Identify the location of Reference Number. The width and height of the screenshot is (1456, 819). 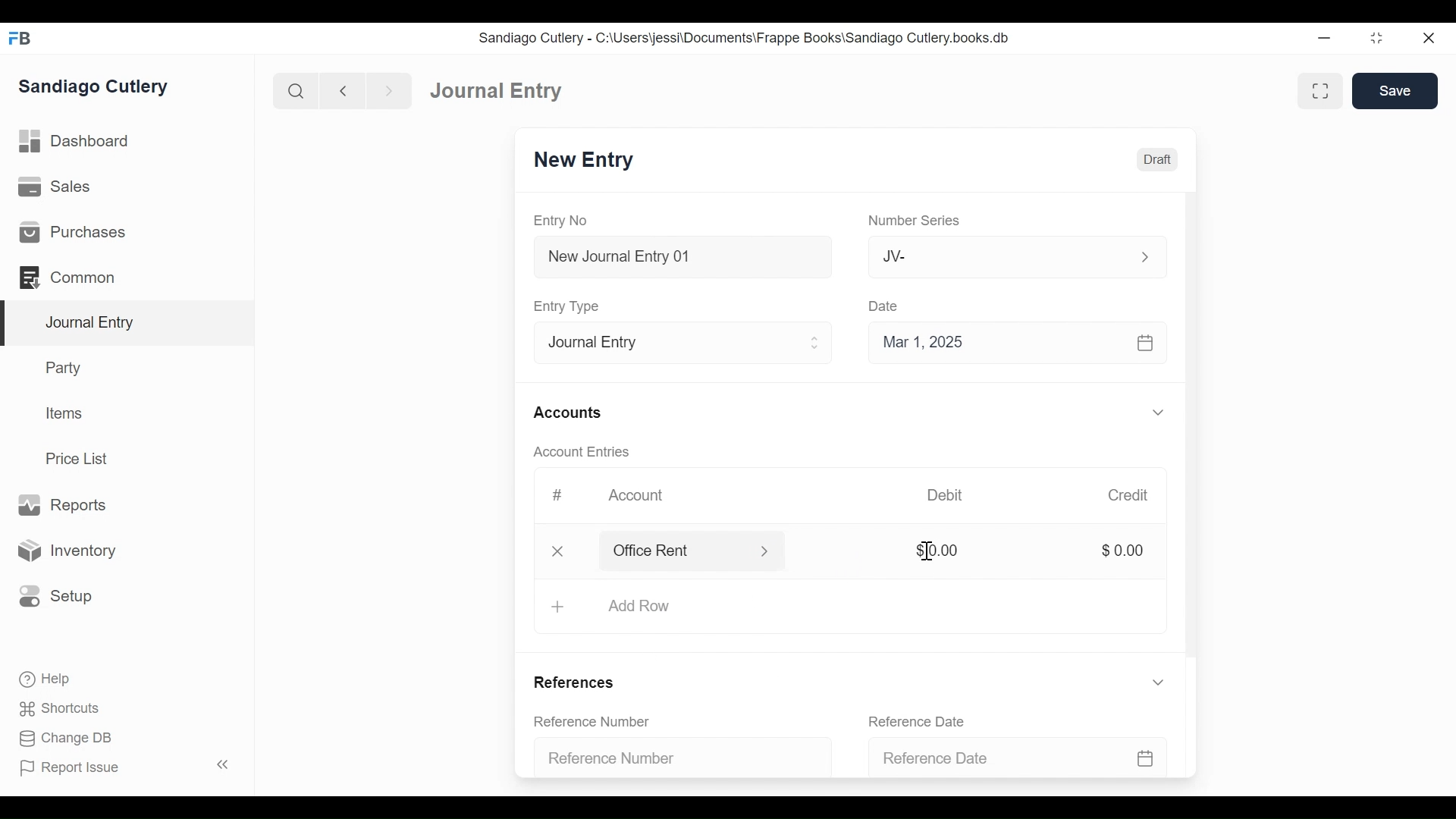
(680, 759).